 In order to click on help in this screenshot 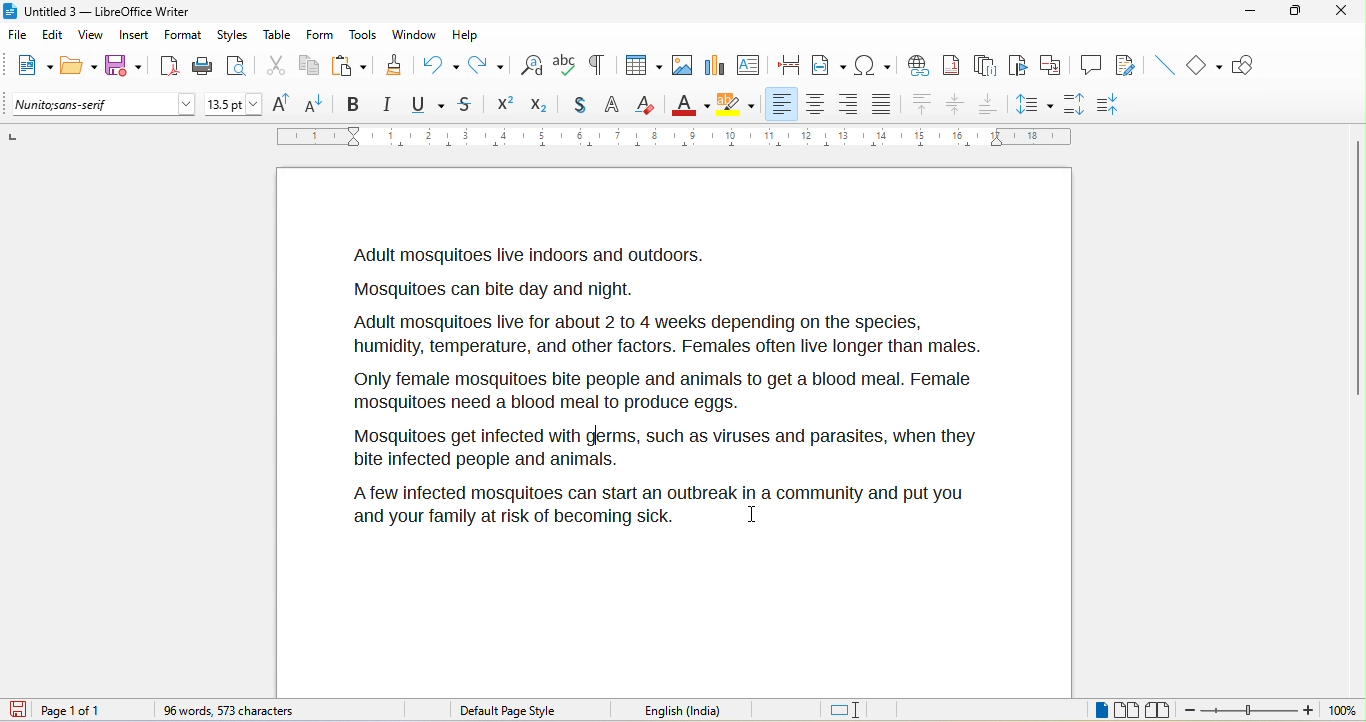, I will do `click(468, 33)`.